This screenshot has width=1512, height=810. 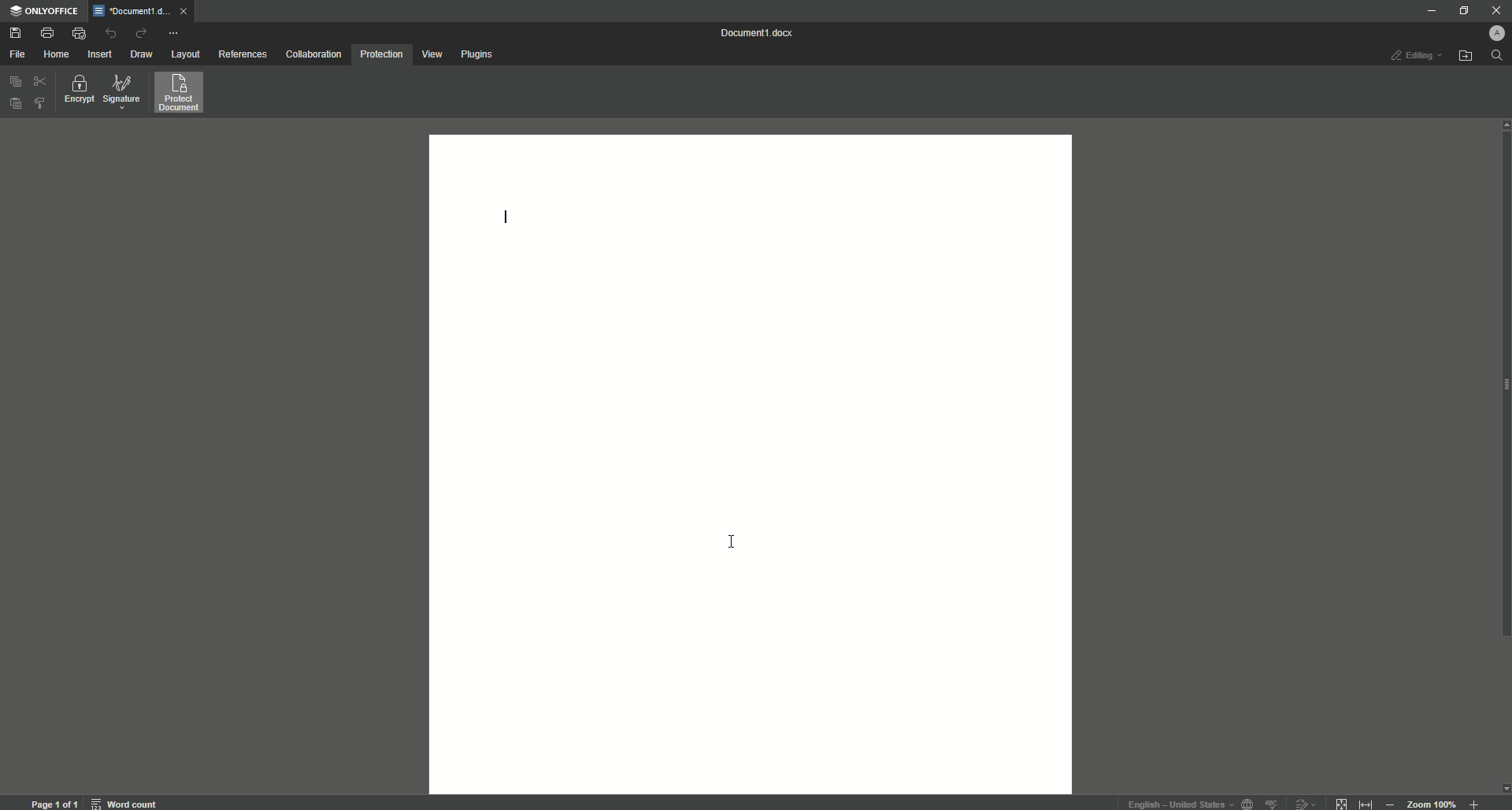 What do you see at coordinates (478, 54) in the screenshot?
I see `Plugins` at bounding box center [478, 54].